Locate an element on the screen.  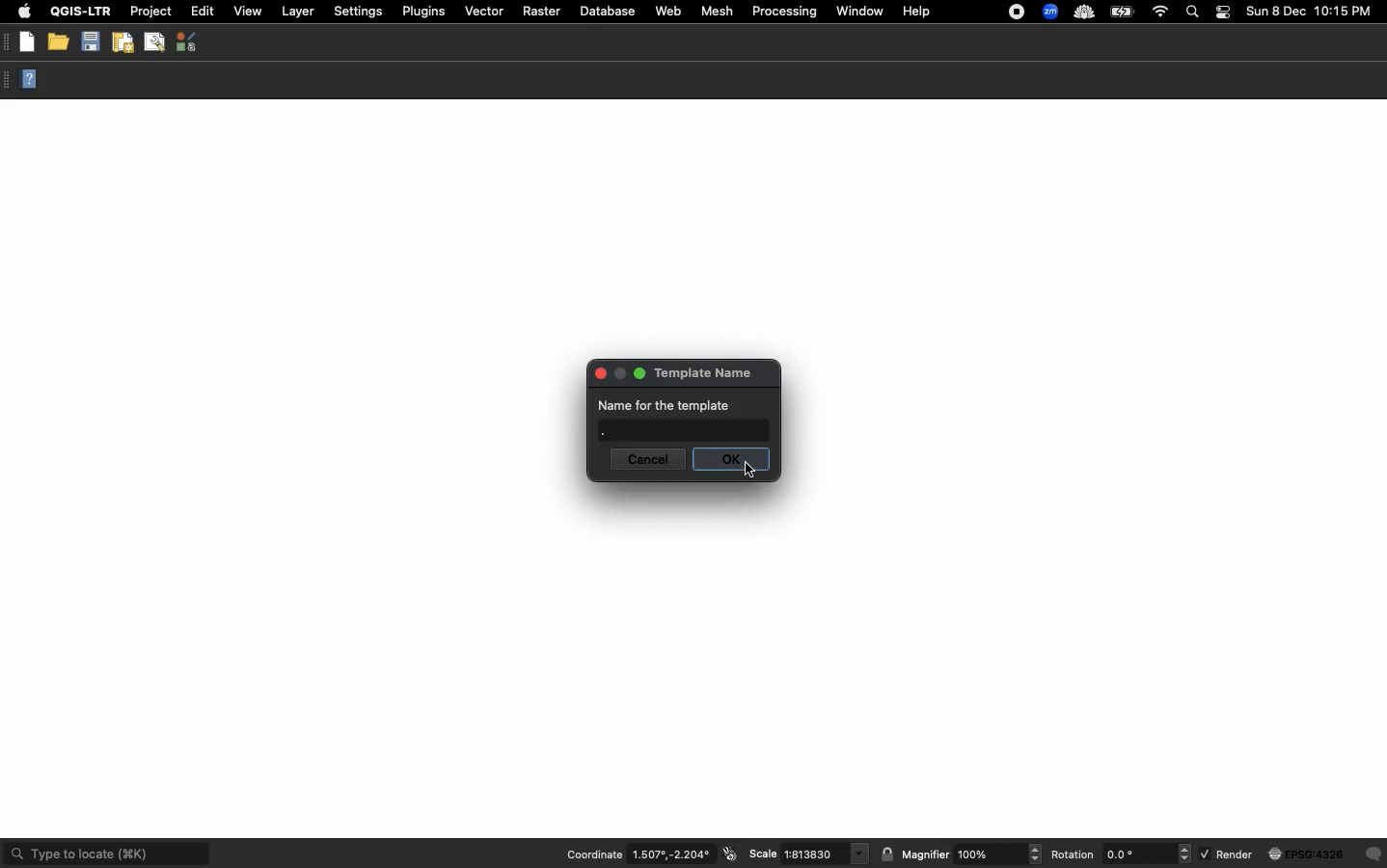
New print layout is located at coordinates (121, 46).